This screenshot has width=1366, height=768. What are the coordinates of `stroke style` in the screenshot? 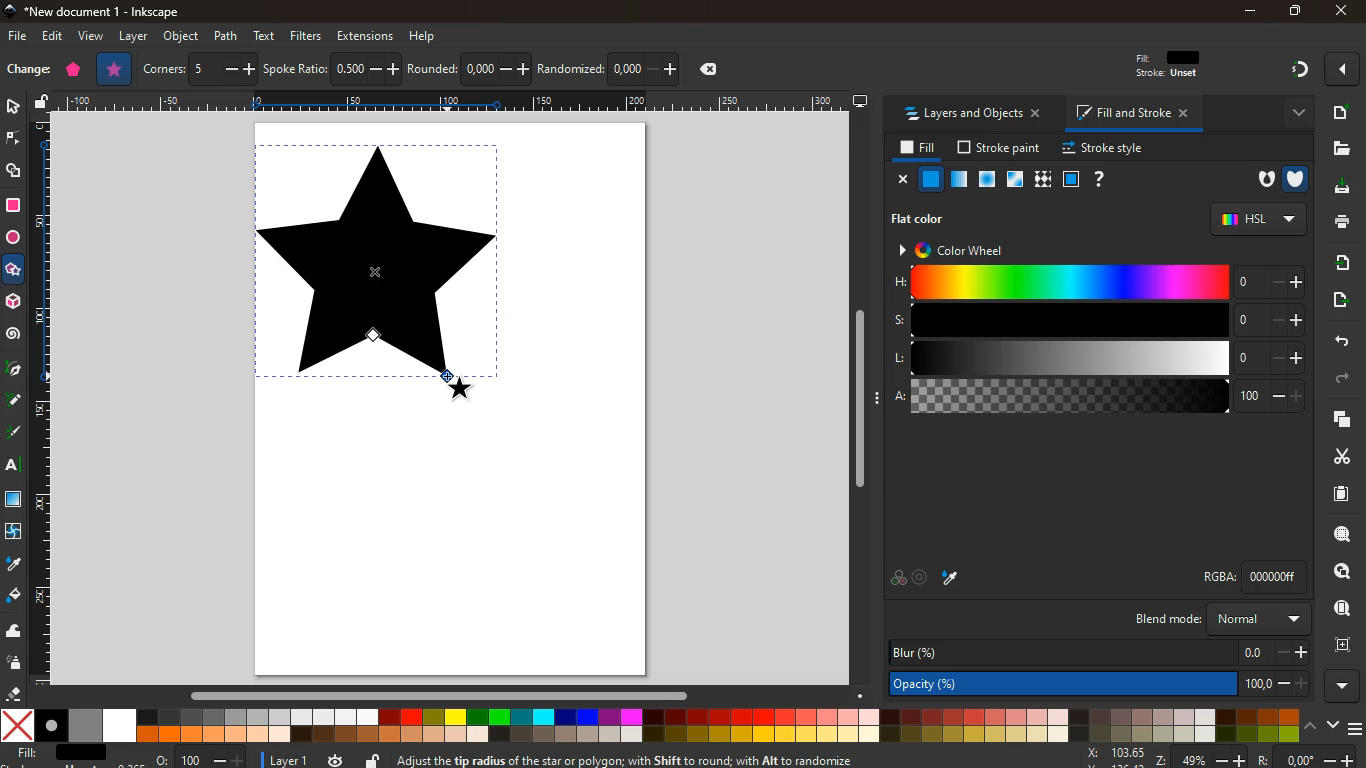 It's located at (1106, 149).